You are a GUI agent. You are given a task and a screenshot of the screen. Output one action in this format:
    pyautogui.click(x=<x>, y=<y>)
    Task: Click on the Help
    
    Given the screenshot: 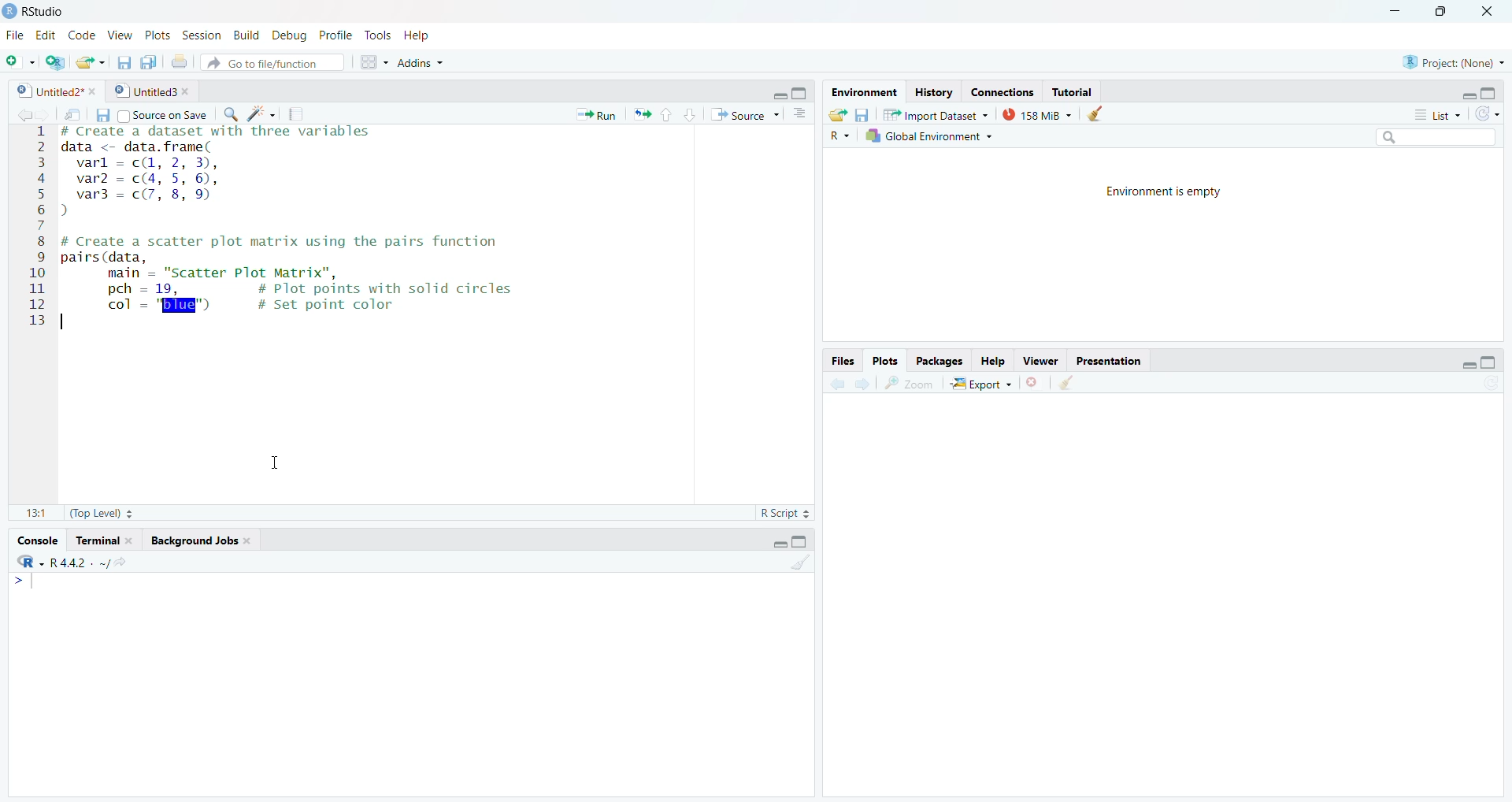 What is the action you would take?
    pyautogui.click(x=433, y=35)
    